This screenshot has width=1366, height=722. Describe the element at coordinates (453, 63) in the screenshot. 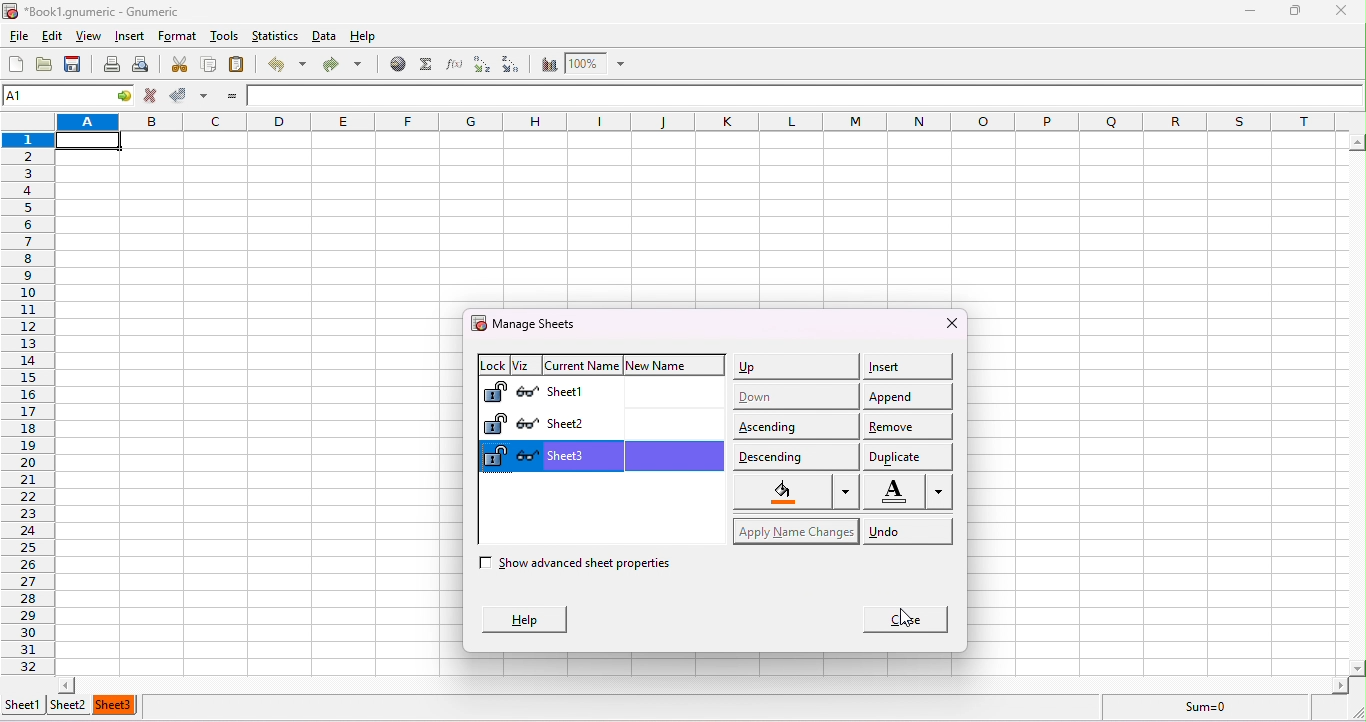

I see `edit a function in the current cell` at that location.